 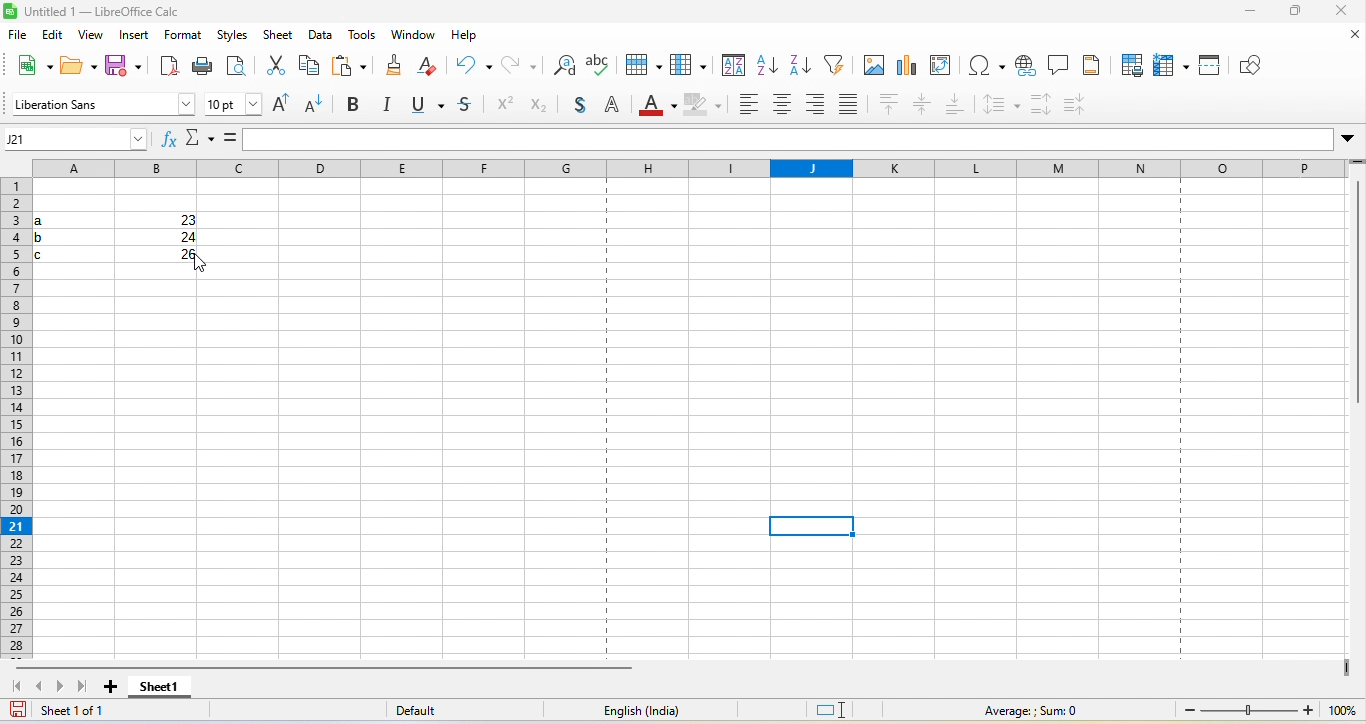 I want to click on cell, so click(x=812, y=526).